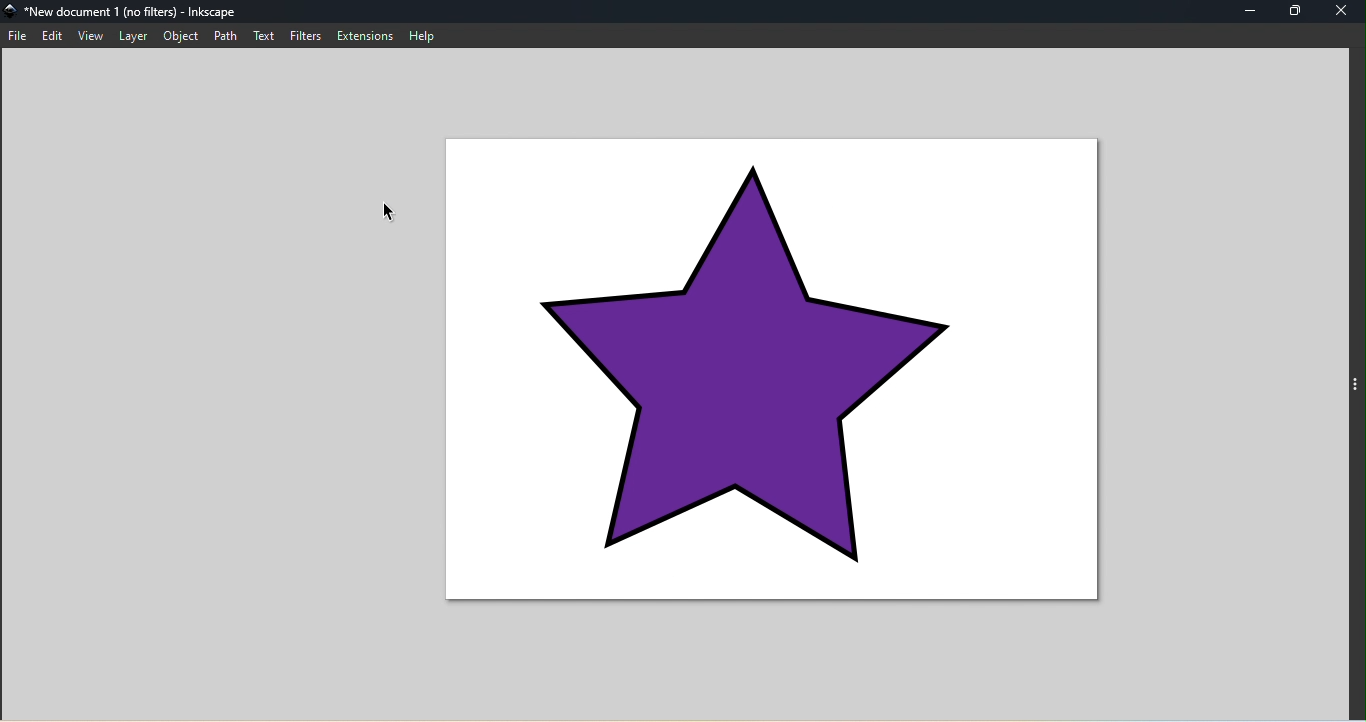  Describe the element at coordinates (132, 34) in the screenshot. I see `Layer` at that location.